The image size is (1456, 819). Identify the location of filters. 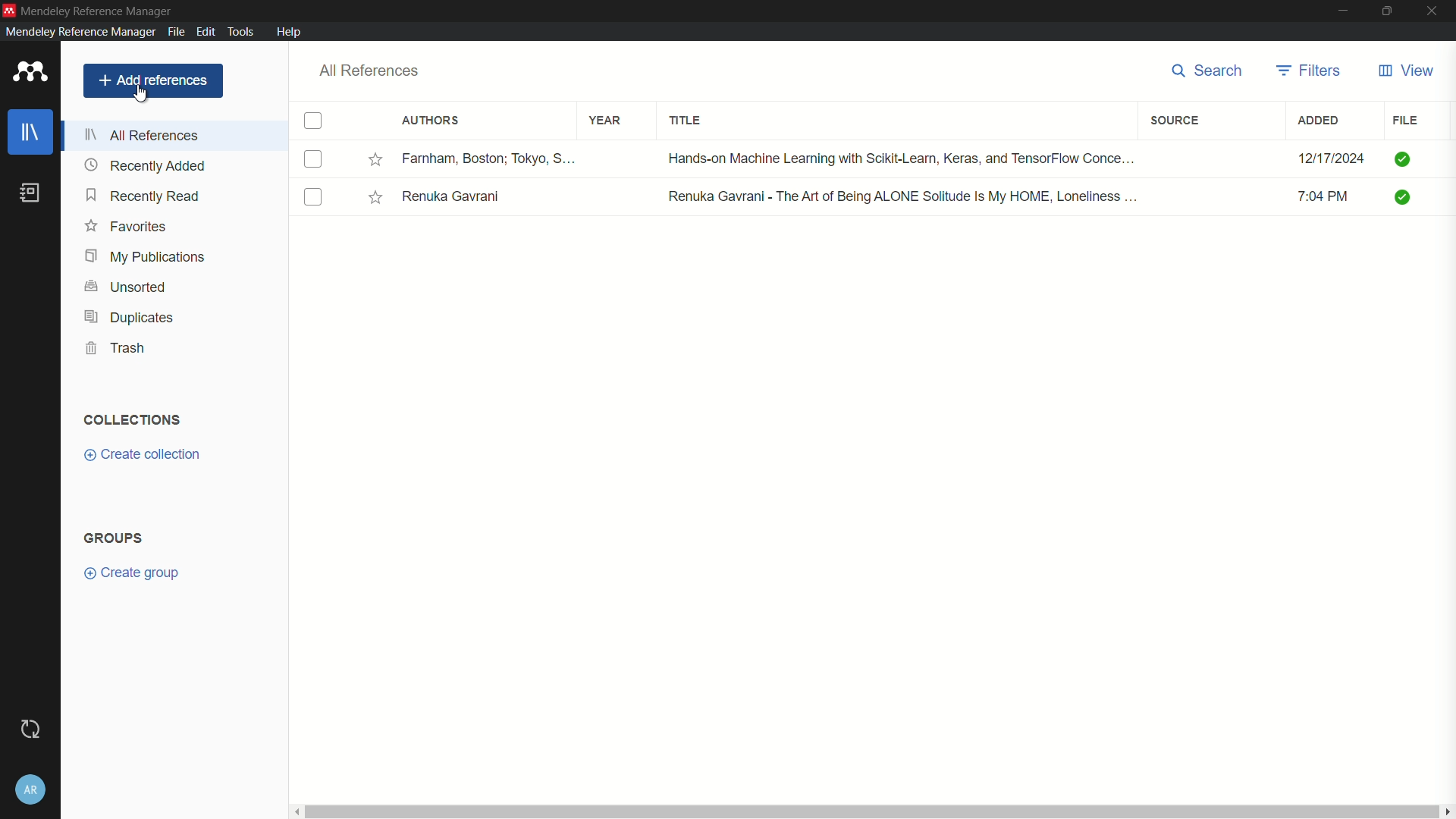
(1310, 71).